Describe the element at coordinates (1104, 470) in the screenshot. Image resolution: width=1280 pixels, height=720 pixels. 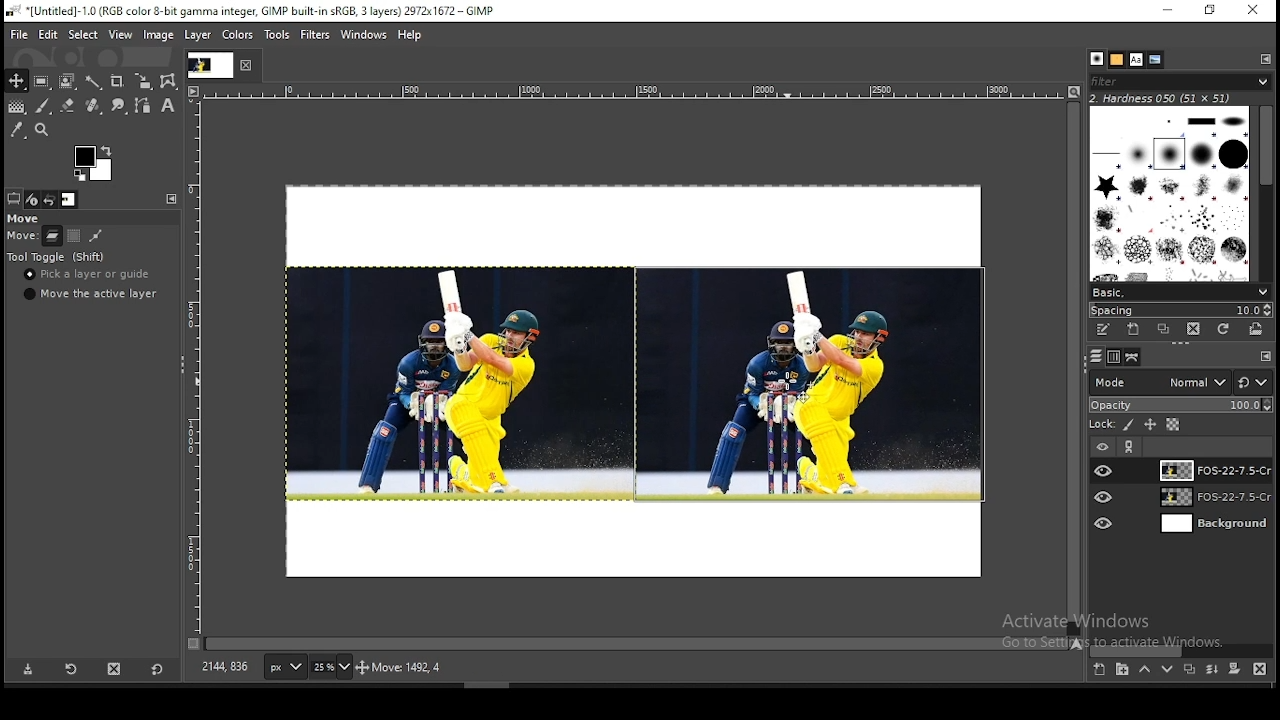
I see `layer visibility on/off` at that location.